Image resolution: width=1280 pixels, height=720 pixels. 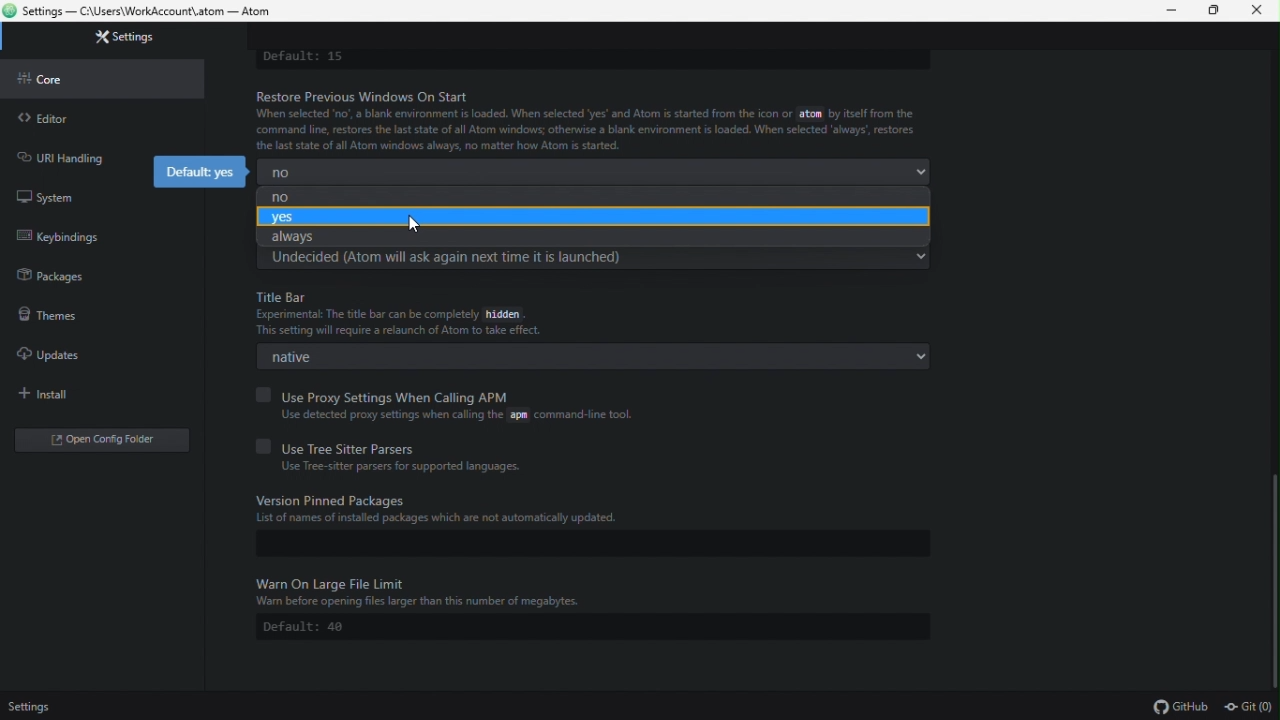 I want to click on Updates, so click(x=65, y=355).